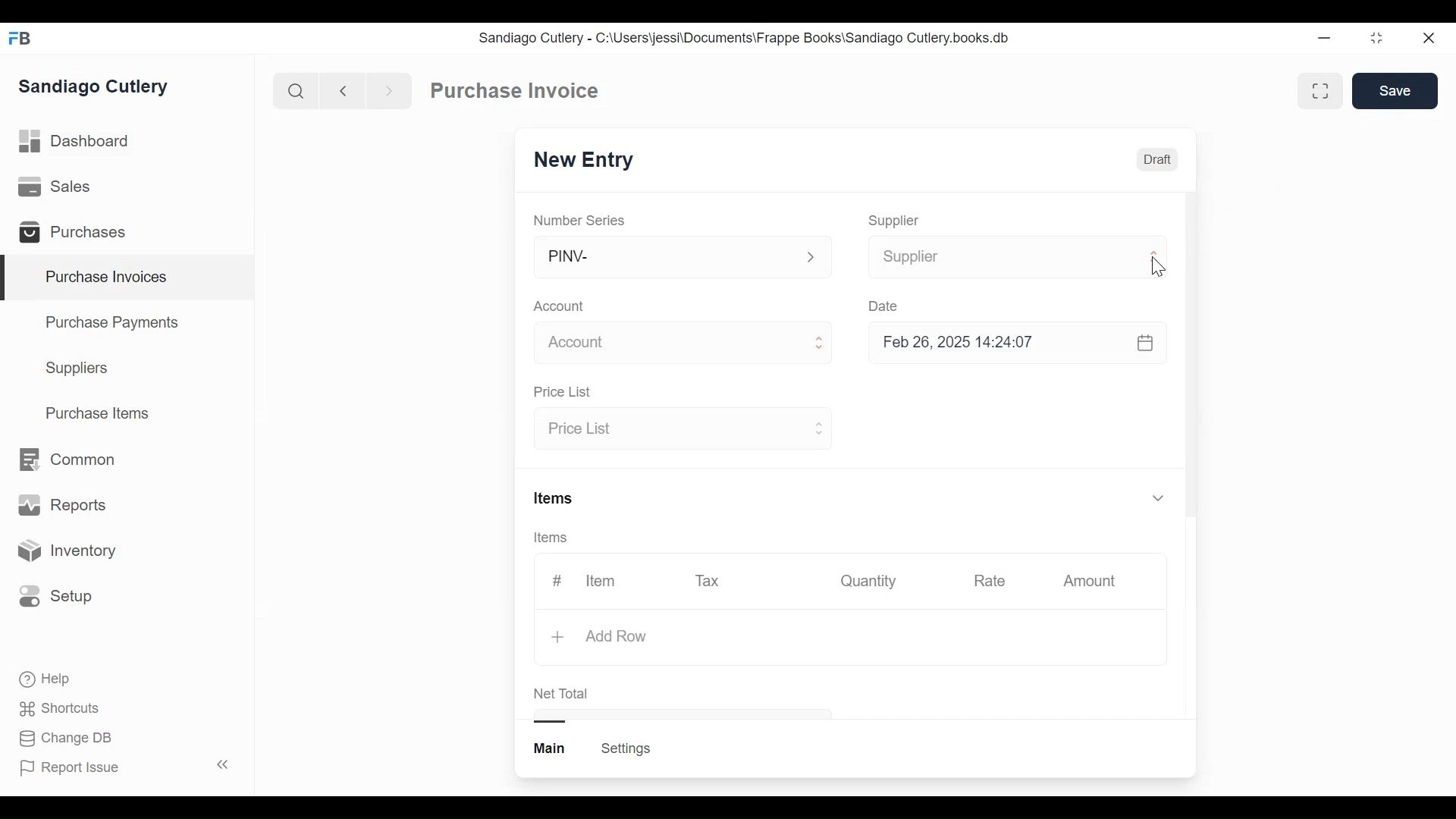 The image size is (1456, 819). What do you see at coordinates (388, 89) in the screenshot?
I see `Navigate forward` at bounding box center [388, 89].